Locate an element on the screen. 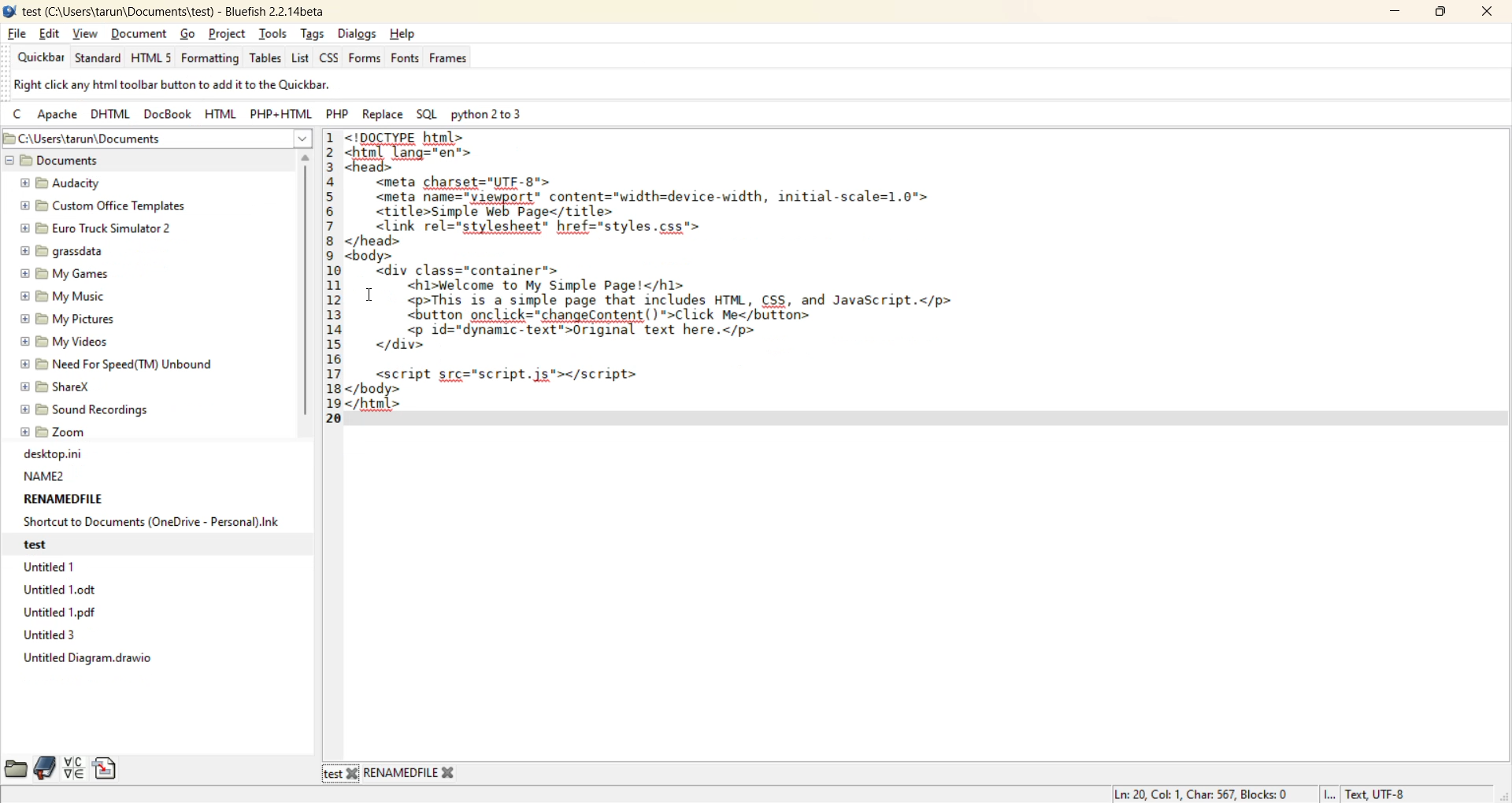  @ [9 Sound Recordings is located at coordinates (90, 408).